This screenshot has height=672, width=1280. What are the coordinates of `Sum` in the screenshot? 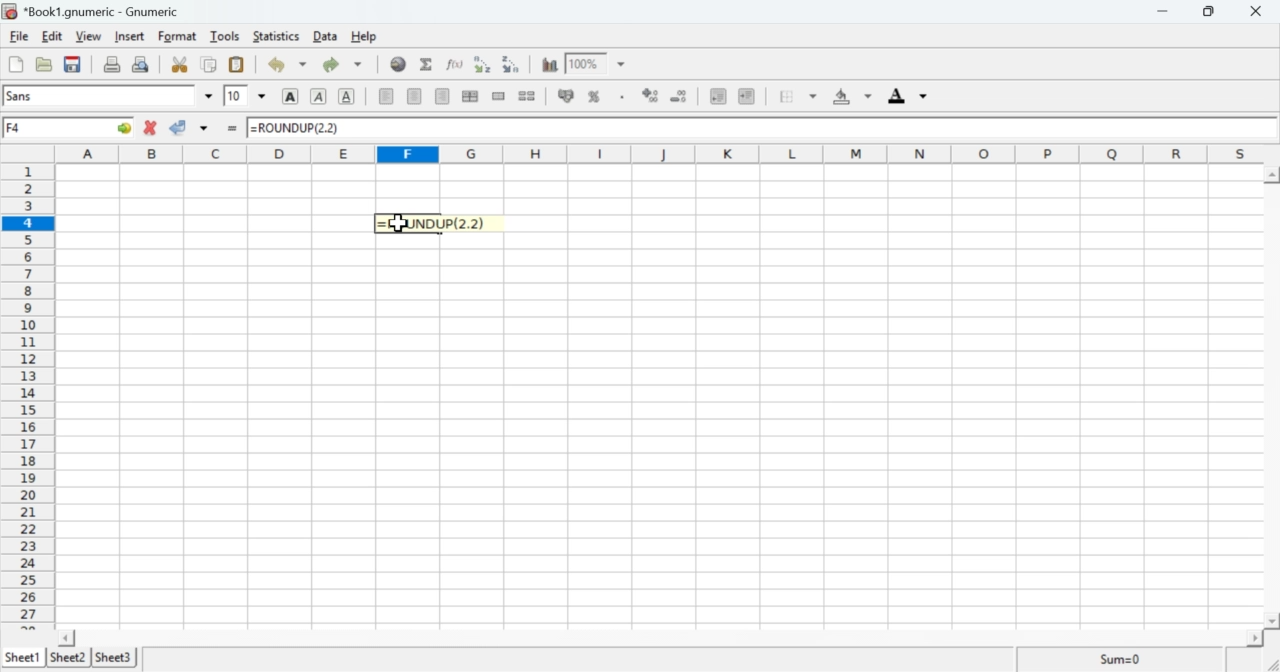 It's located at (426, 63).